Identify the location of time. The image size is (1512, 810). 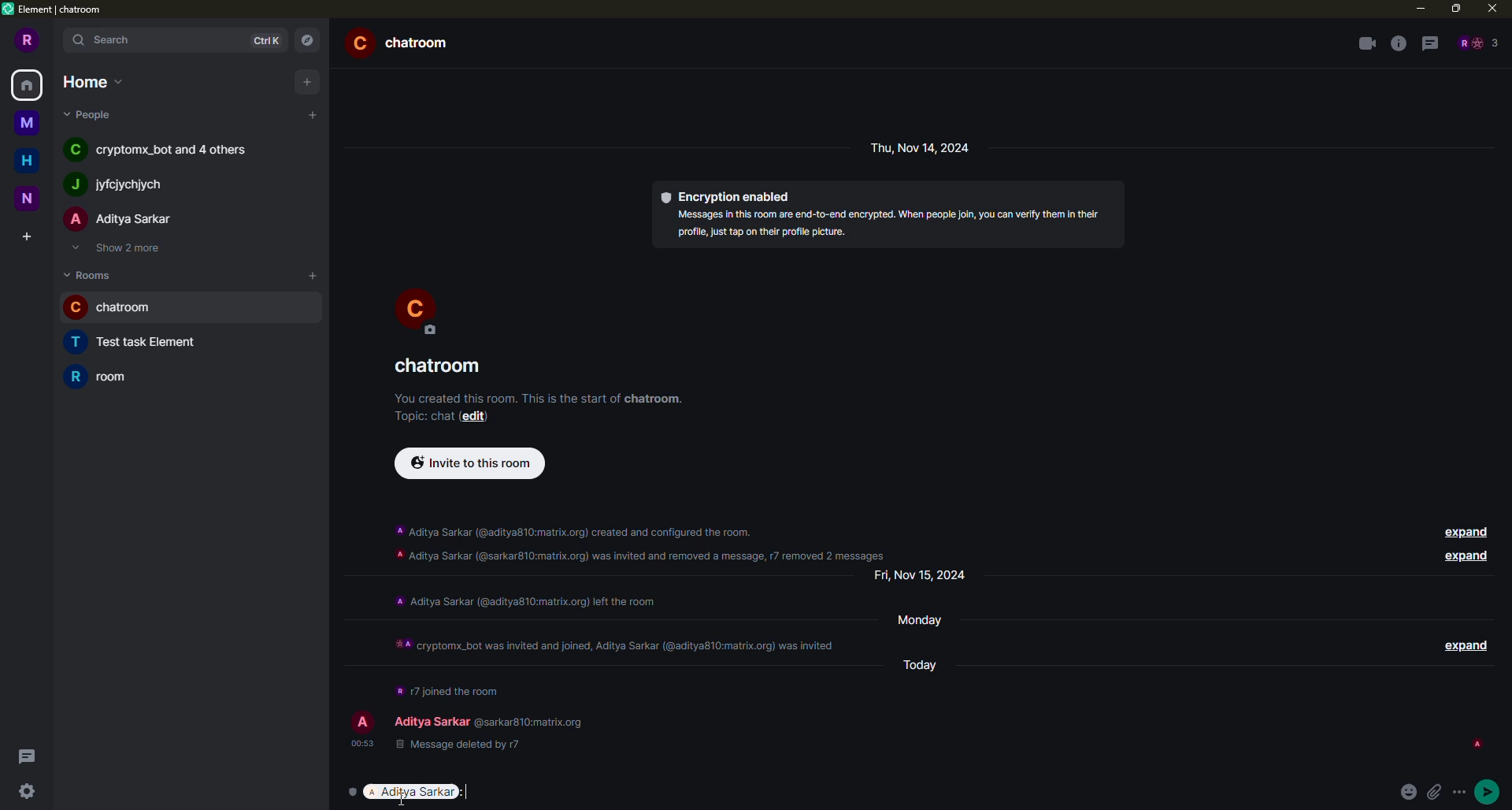
(361, 742).